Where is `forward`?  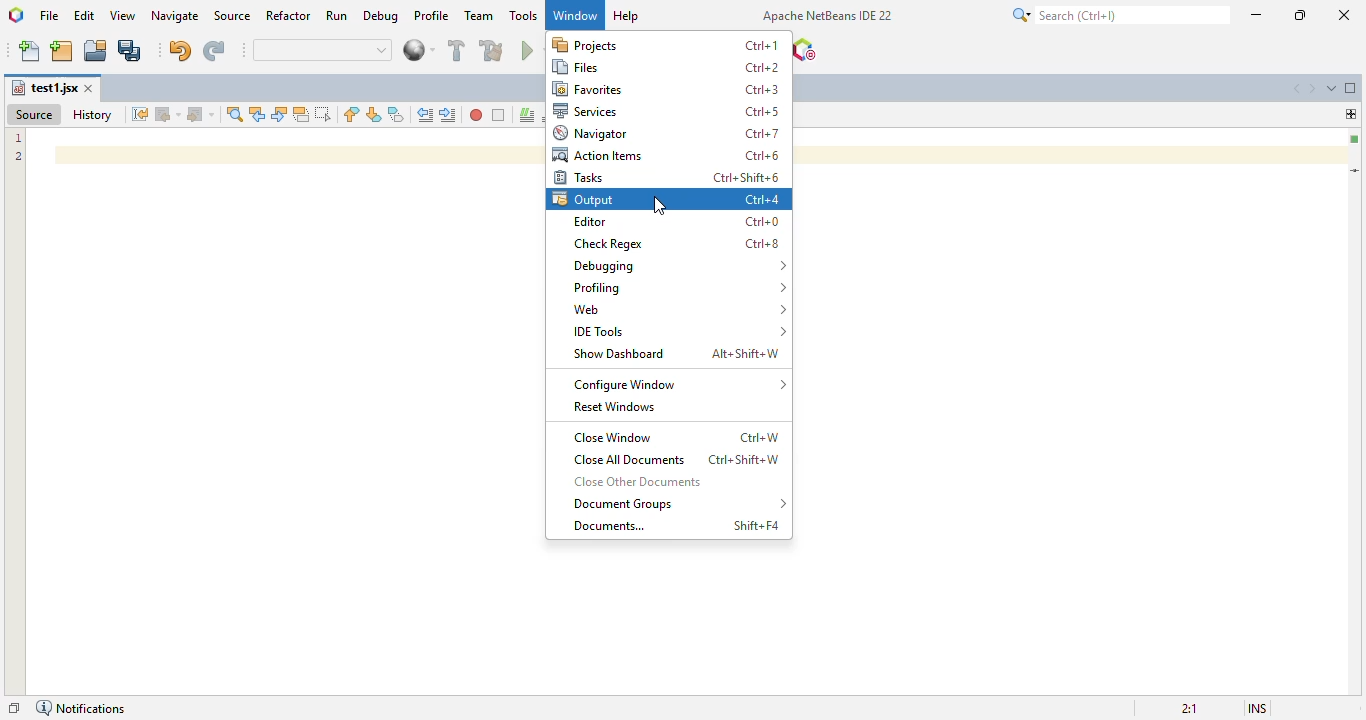
forward is located at coordinates (201, 115).